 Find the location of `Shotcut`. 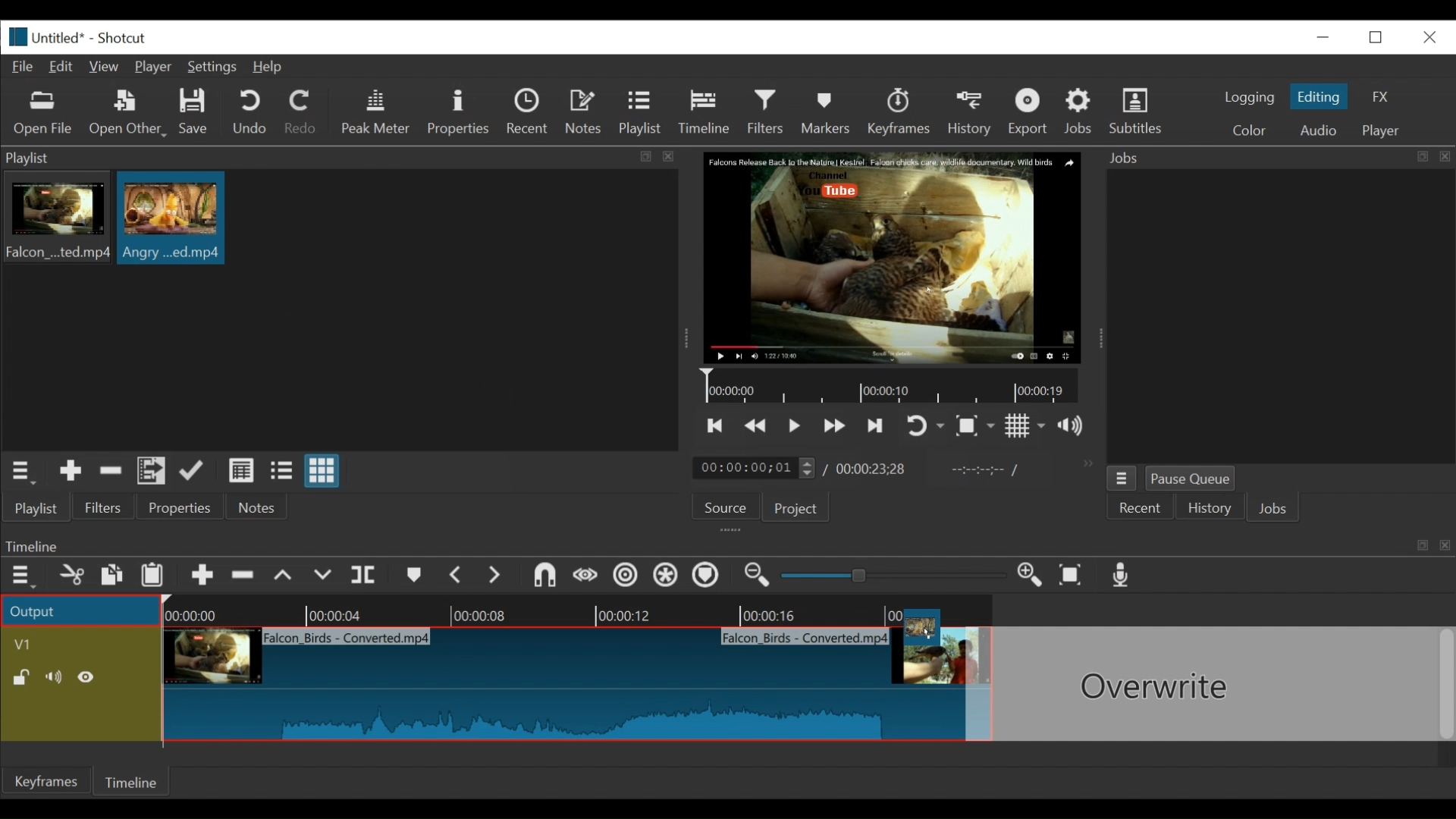

Shotcut is located at coordinates (121, 39).